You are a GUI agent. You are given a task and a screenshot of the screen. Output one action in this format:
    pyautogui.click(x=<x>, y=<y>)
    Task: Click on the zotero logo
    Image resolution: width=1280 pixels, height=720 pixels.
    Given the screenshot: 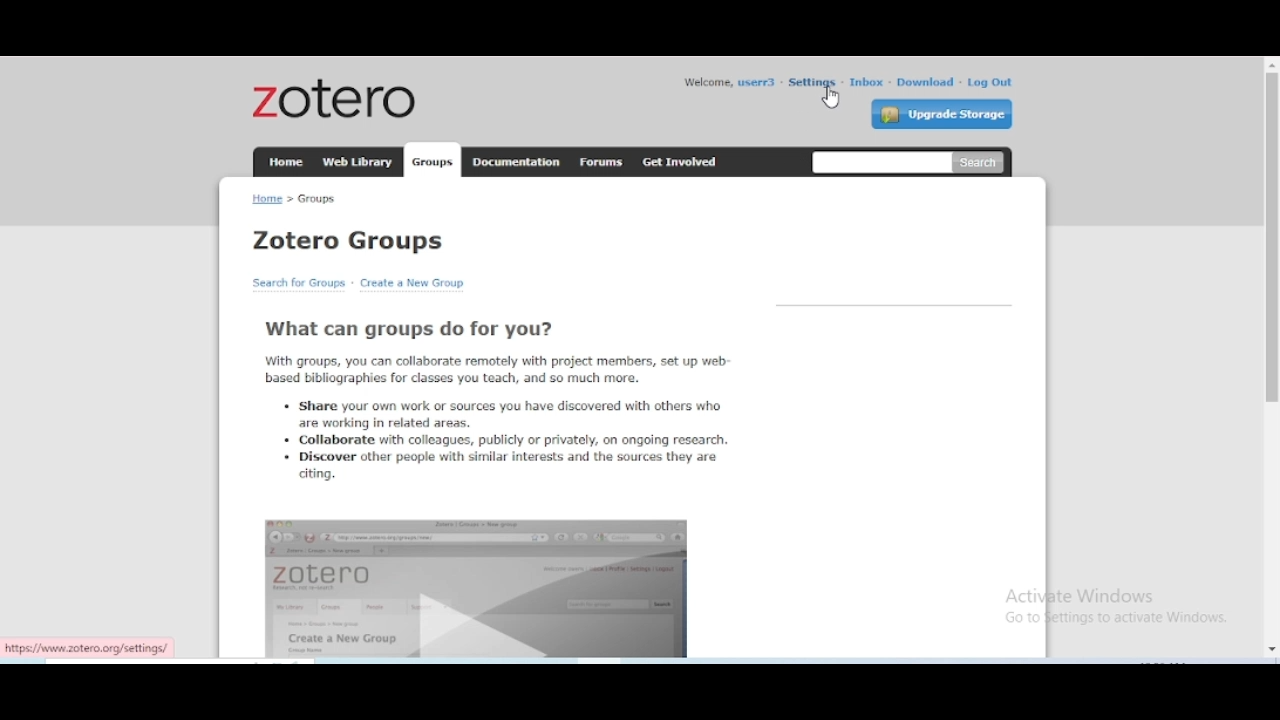 What is the action you would take?
    pyautogui.click(x=332, y=98)
    